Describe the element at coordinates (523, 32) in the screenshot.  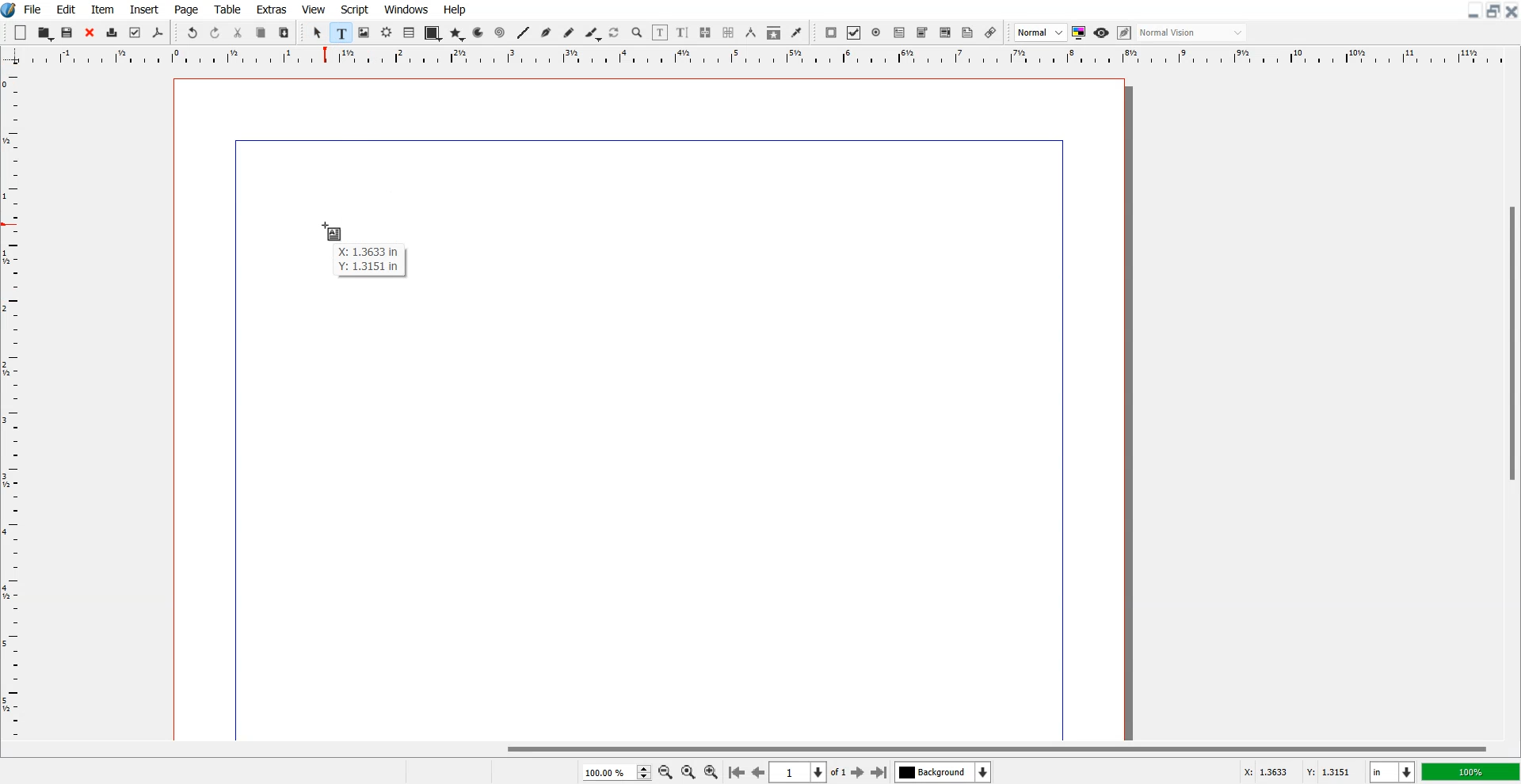
I see `Line` at that location.